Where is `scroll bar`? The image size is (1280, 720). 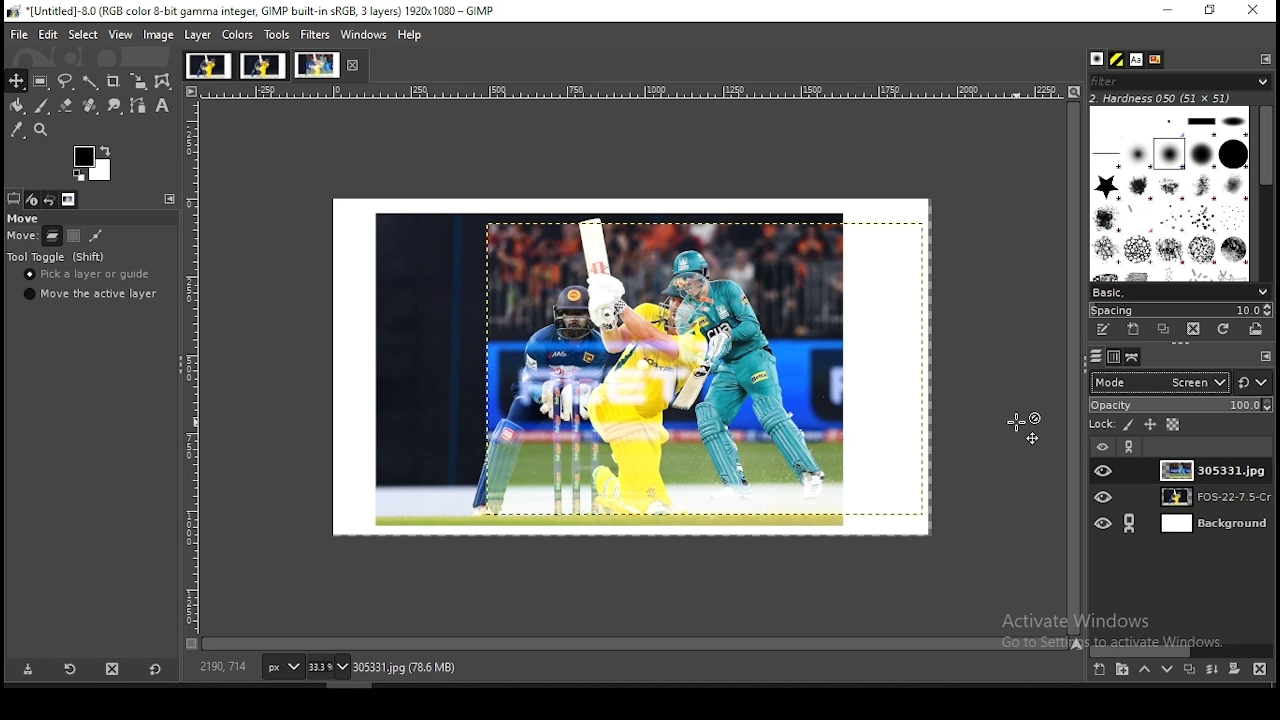
scroll bar is located at coordinates (1183, 651).